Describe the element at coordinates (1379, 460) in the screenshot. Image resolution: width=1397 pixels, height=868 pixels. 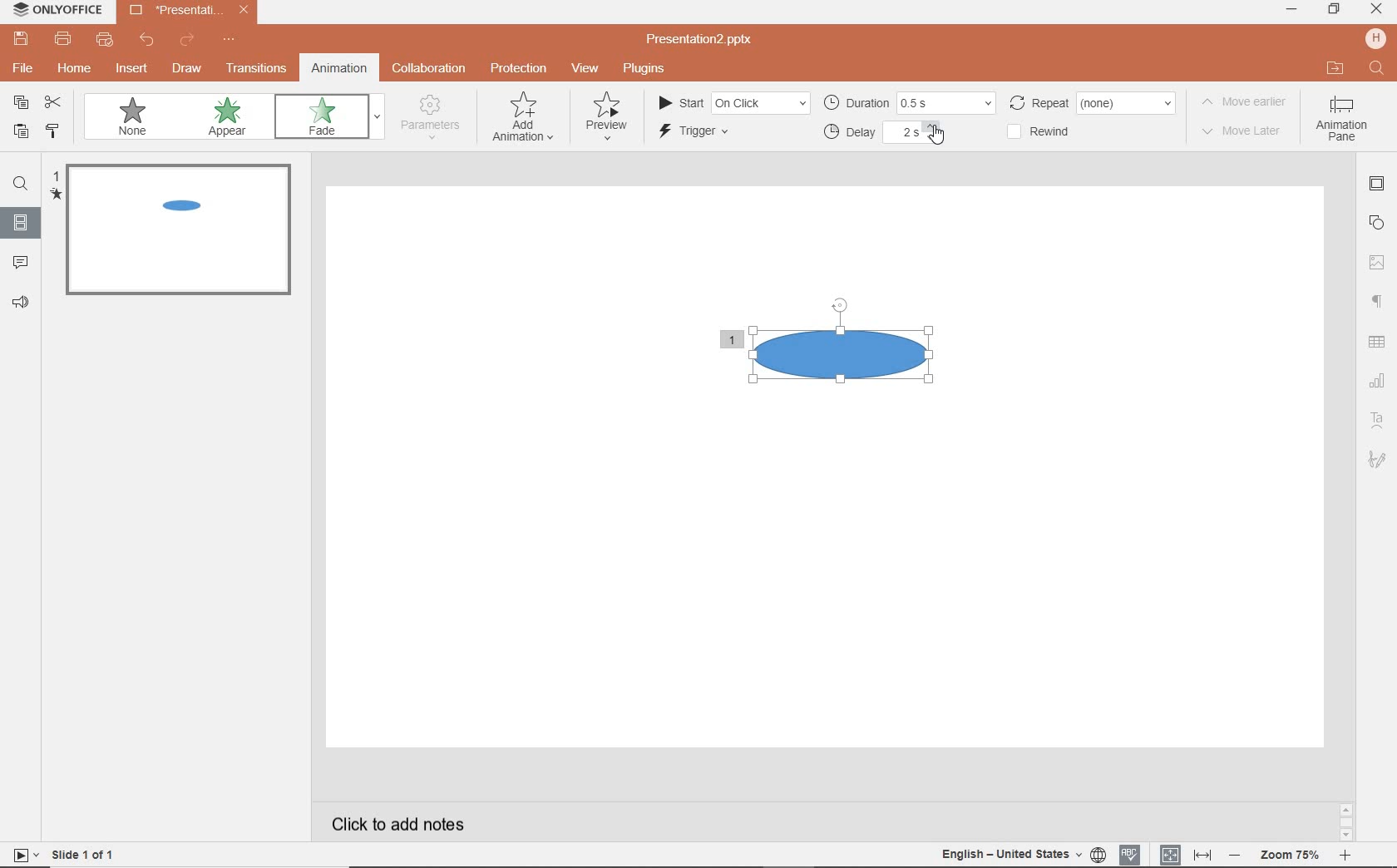
I see `signature` at that location.